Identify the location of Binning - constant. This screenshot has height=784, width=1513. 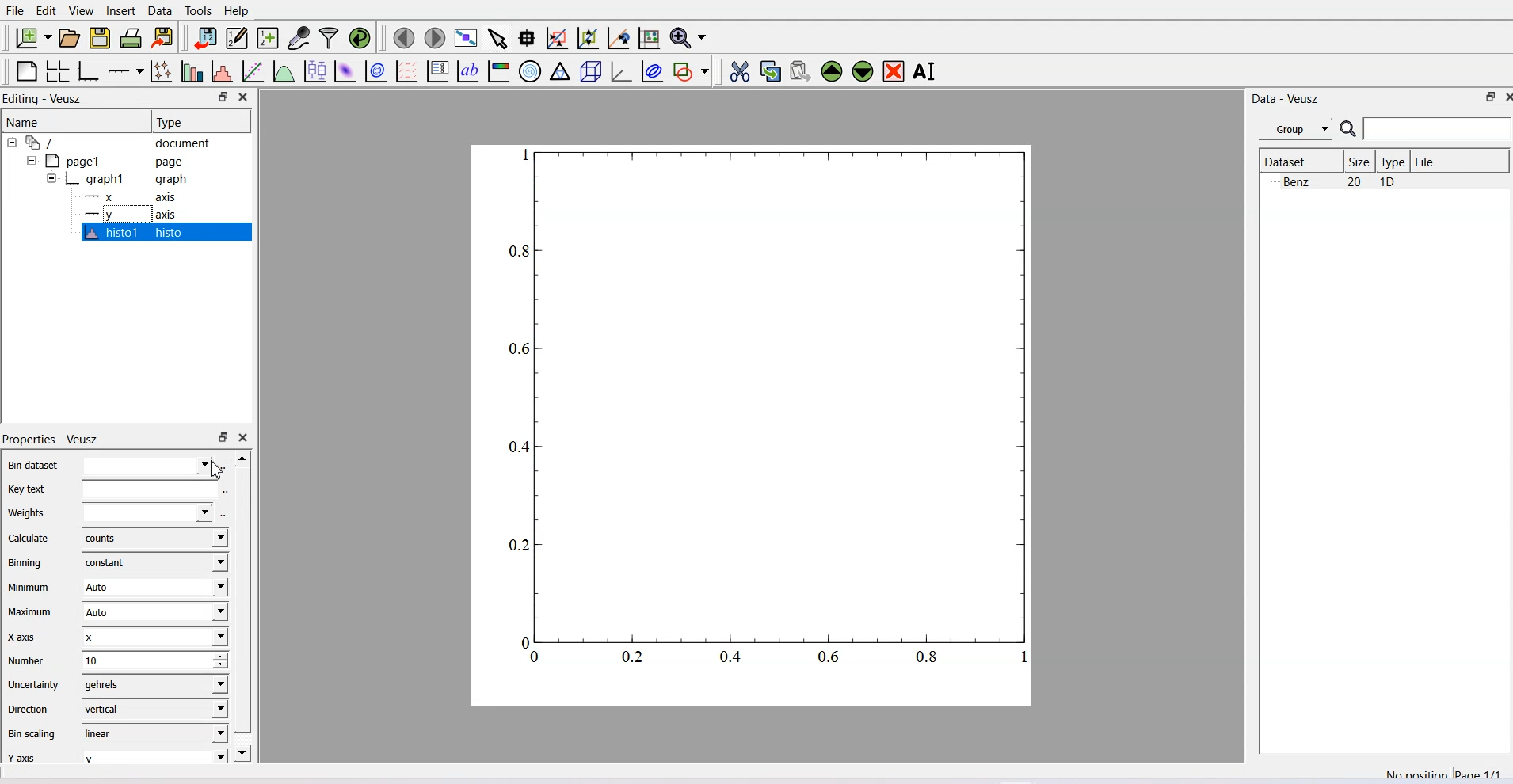
(116, 561).